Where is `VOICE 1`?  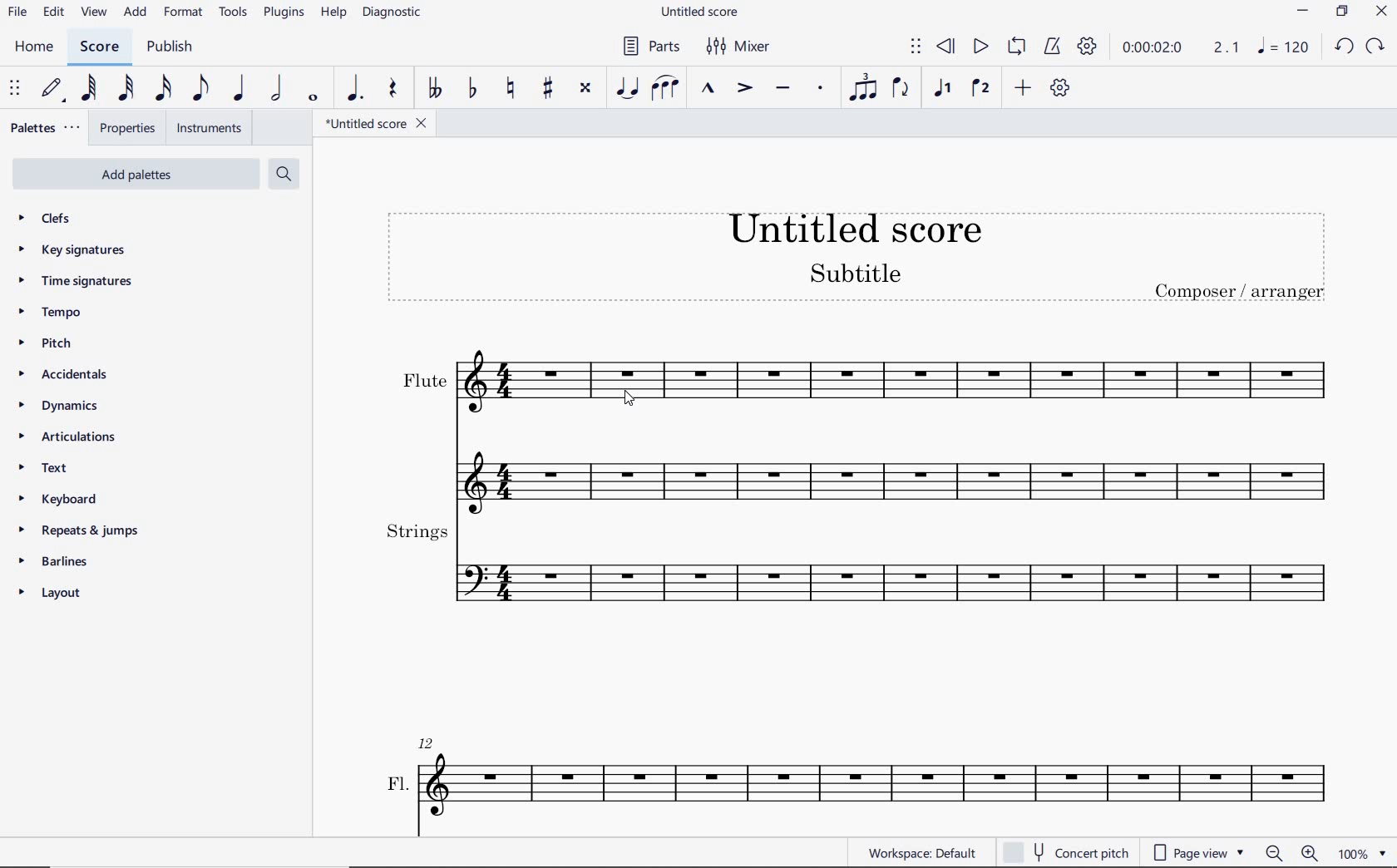
VOICE 1 is located at coordinates (942, 88).